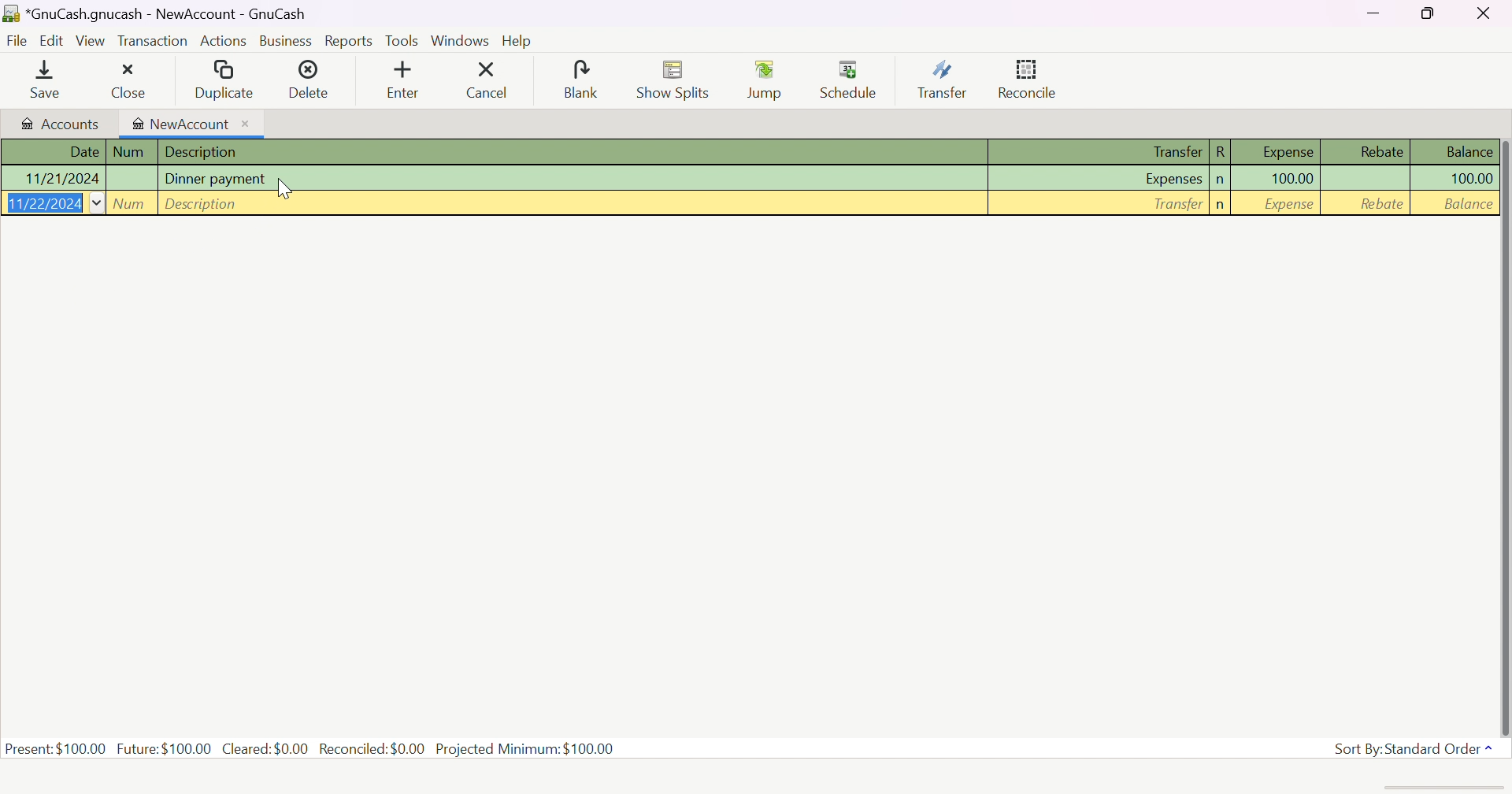 The width and height of the screenshot is (1512, 794). Describe the element at coordinates (285, 41) in the screenshot. I see `Business` at that location.